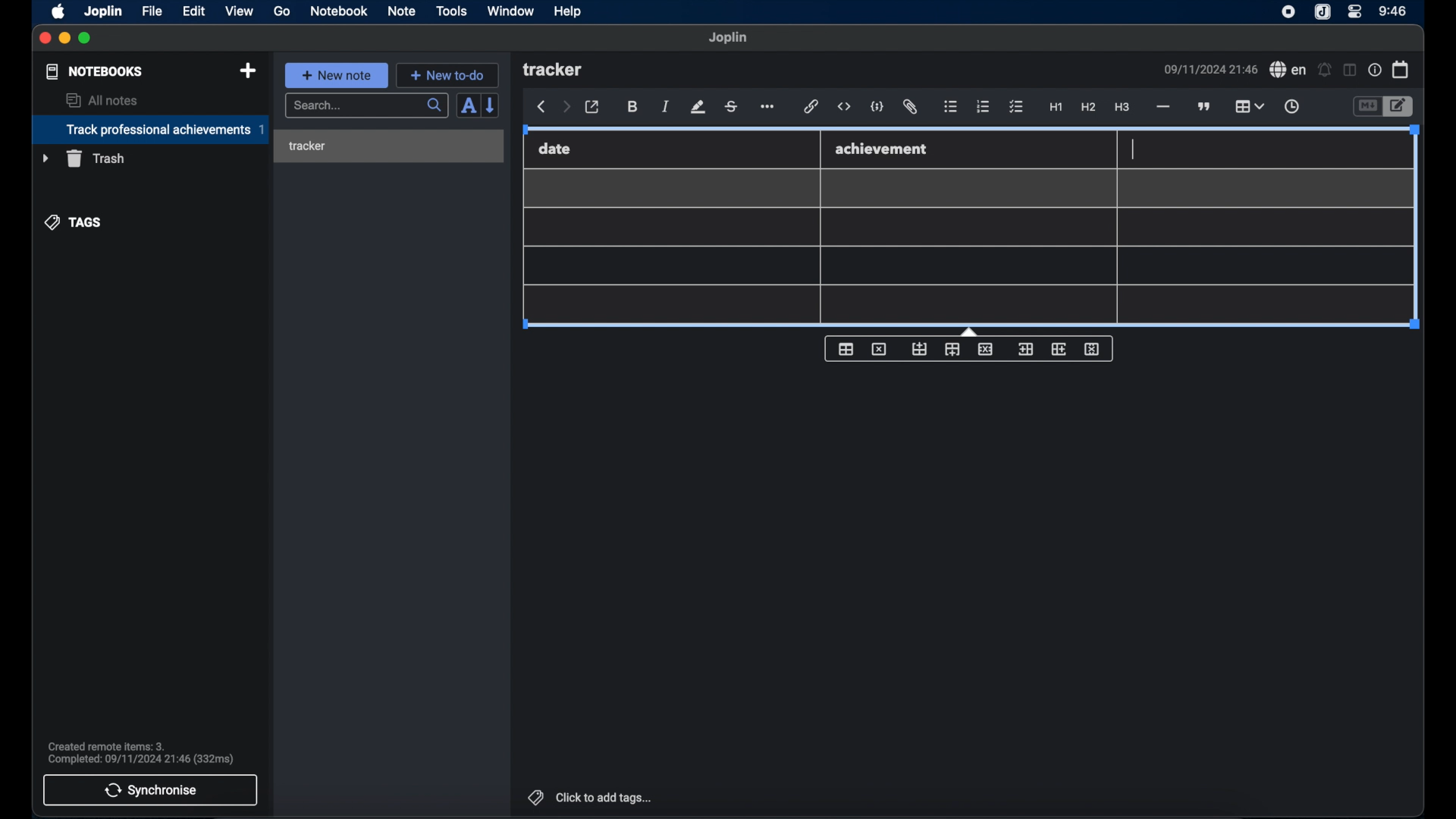 The image size is (1456, 819). Describe the element at coordinates (1093, 350) in the screenshot. I see `delete column` at that location.